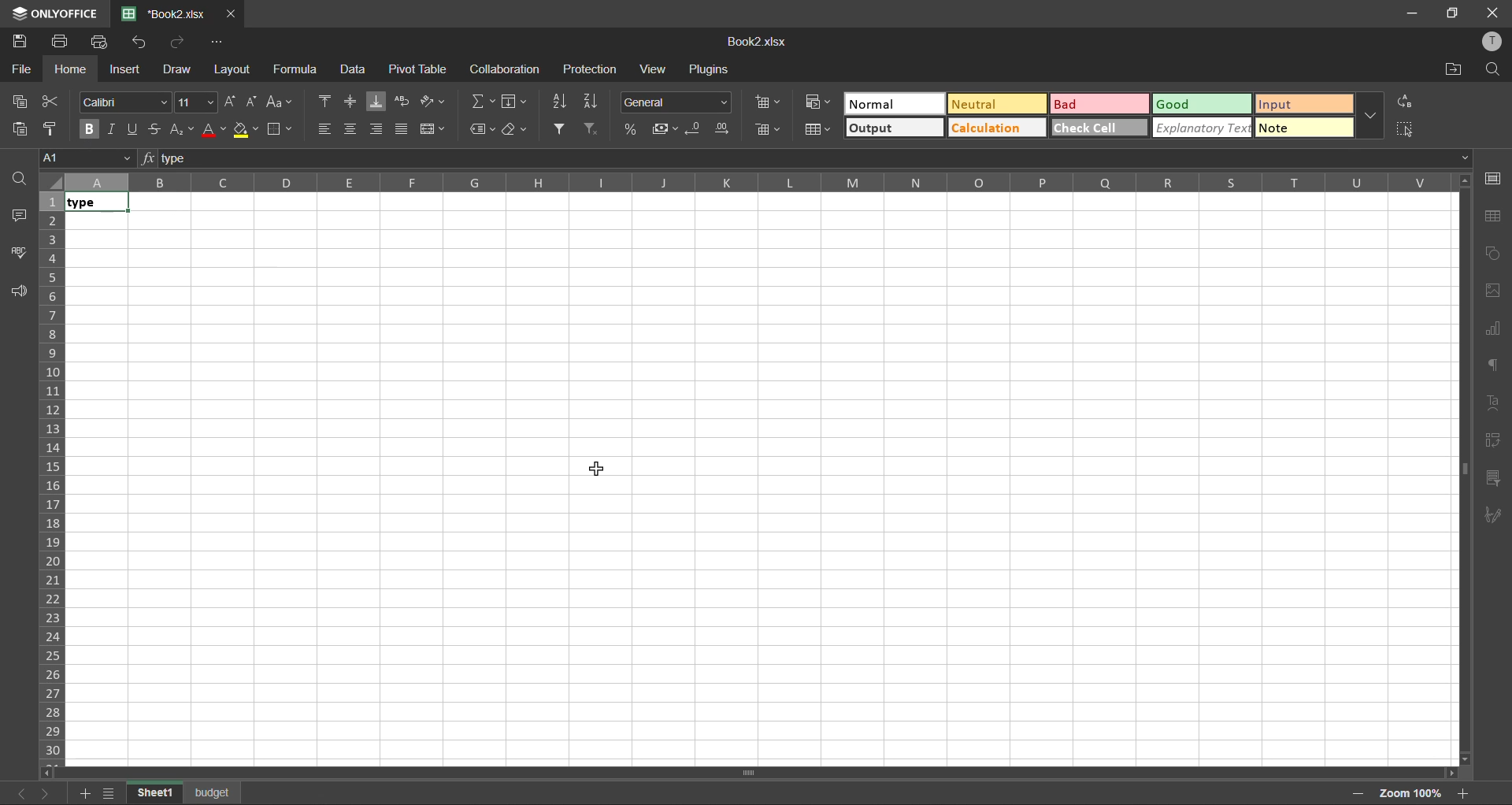 The width and height of the screenshot is (1512, 805). Describe the element at coordinates (1303, 106) in the screenshot. I see `input` at that location.